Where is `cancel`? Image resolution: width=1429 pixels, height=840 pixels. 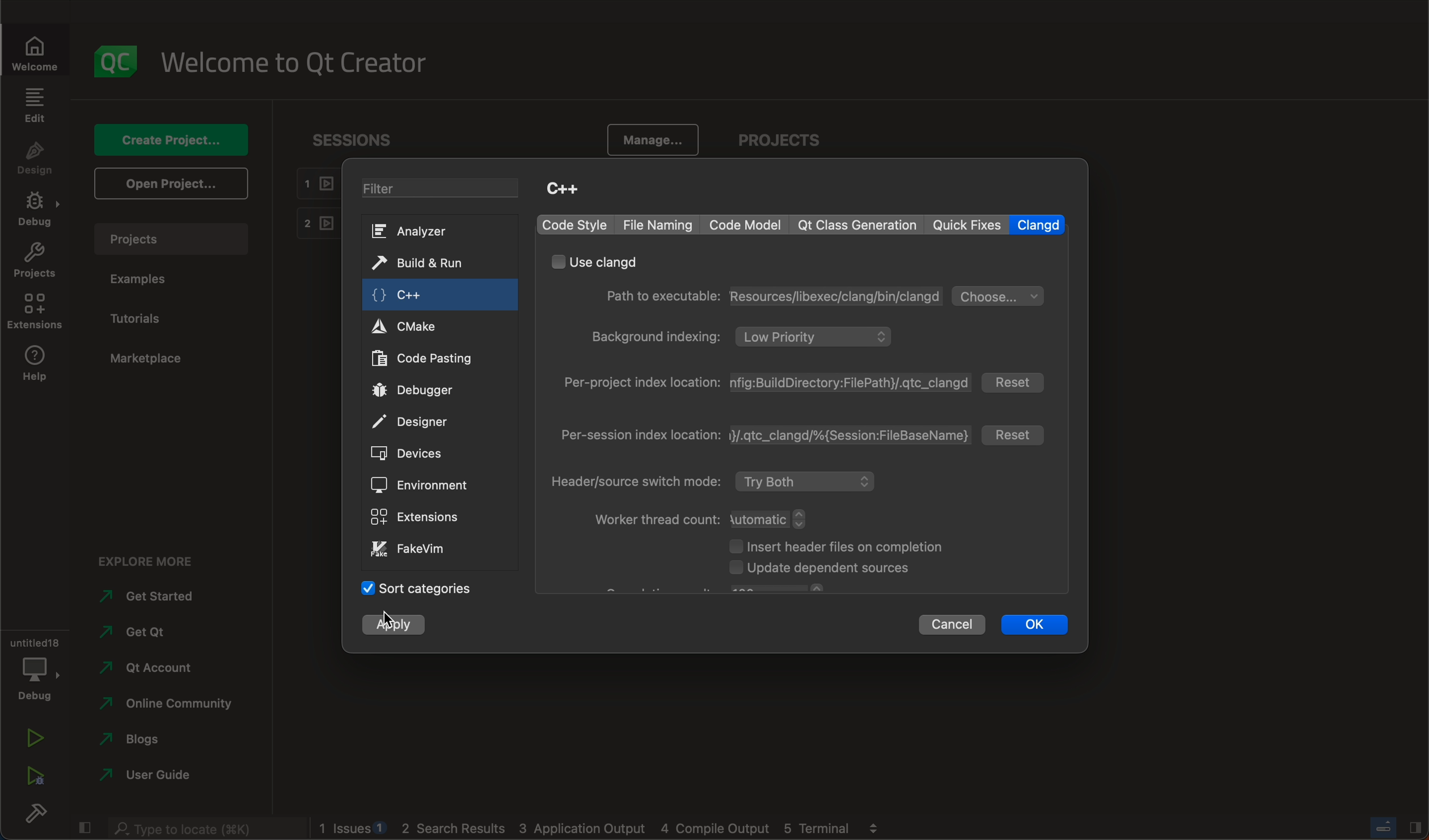 cancel is located at coordinates (952, 623).